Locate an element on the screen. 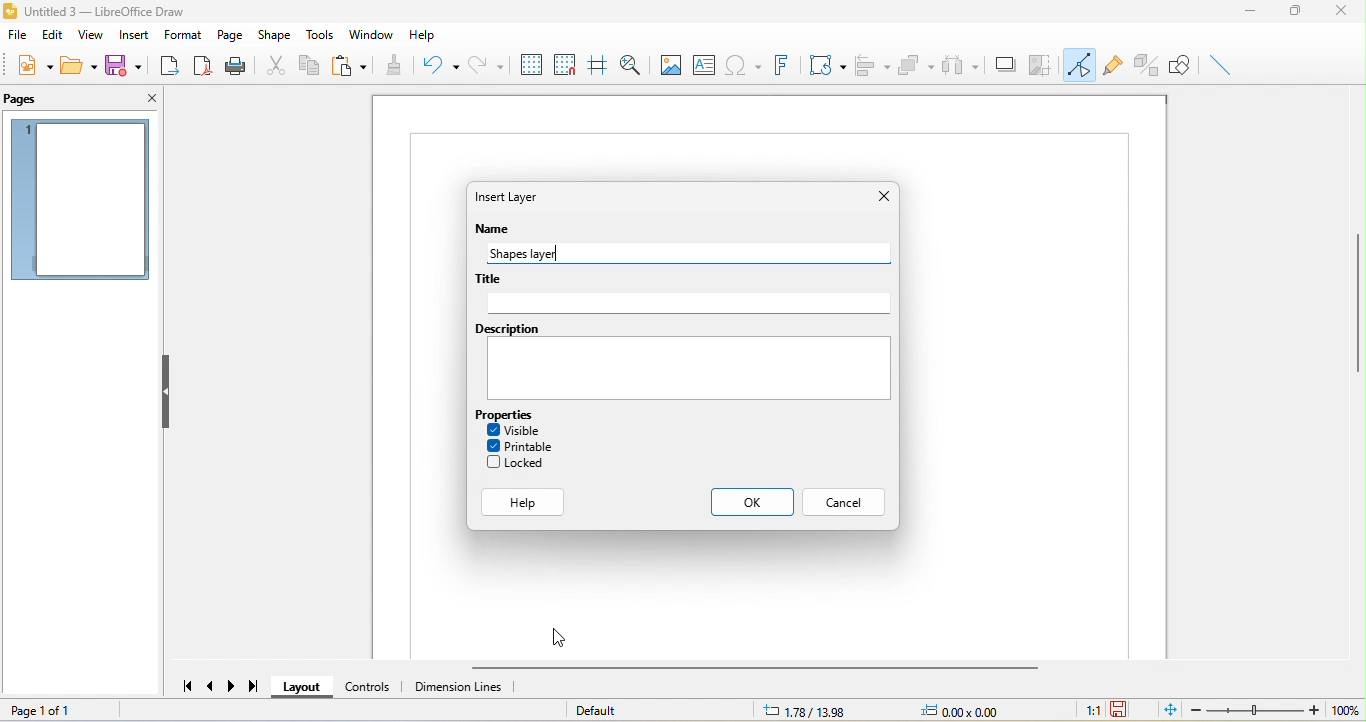  export direct as pdf is located at coordinates (203, 65).